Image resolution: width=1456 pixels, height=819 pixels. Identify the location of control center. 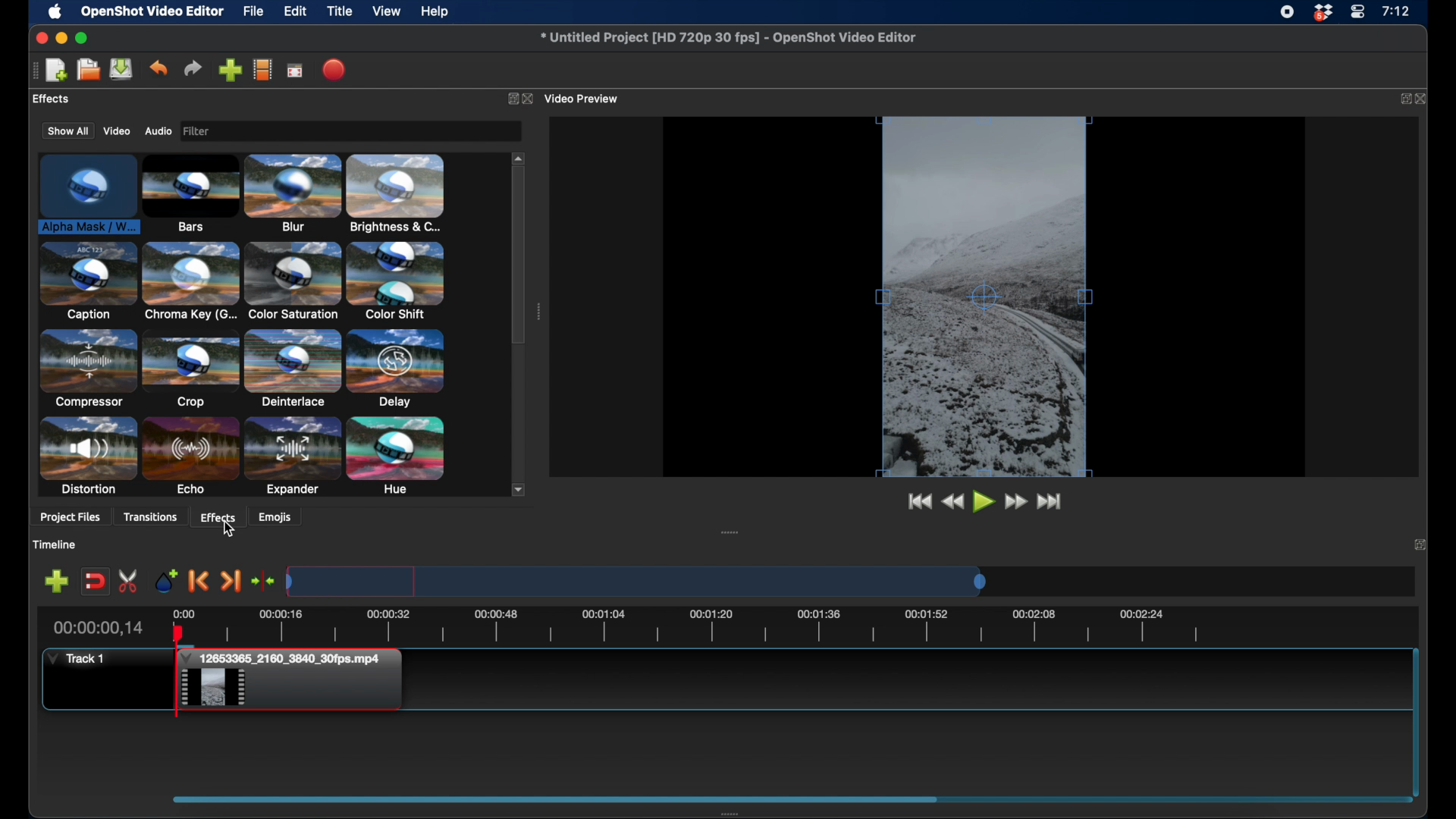
(1357, 12).